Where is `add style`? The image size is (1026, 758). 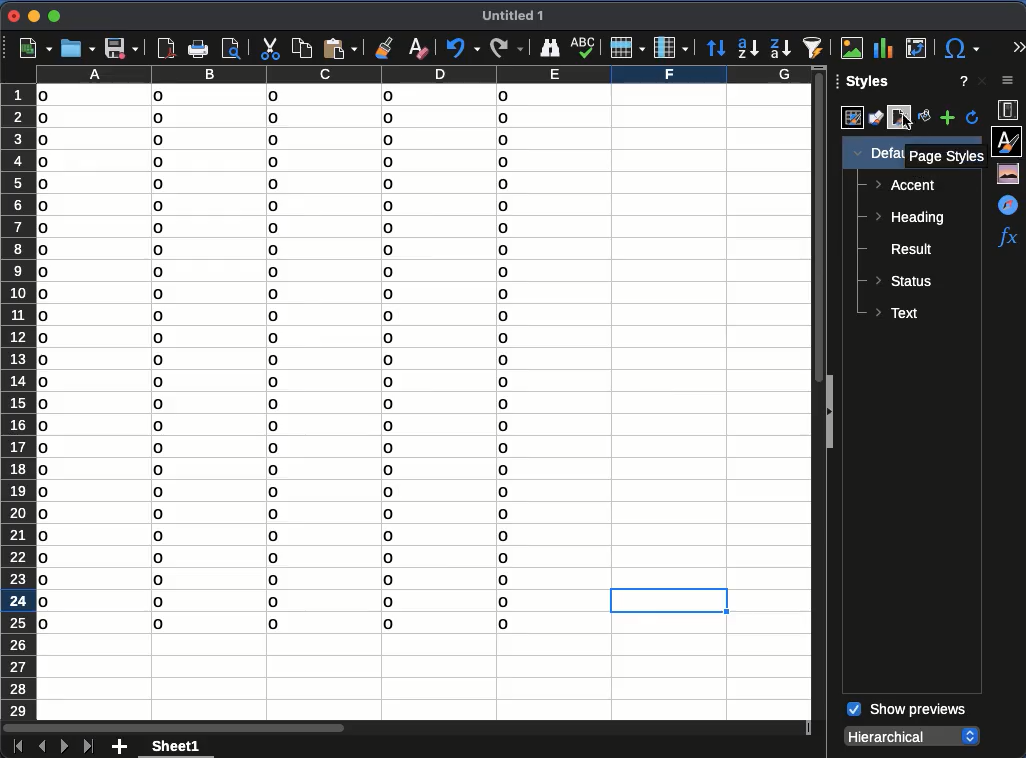 add style is located at coordinates (948, 119).